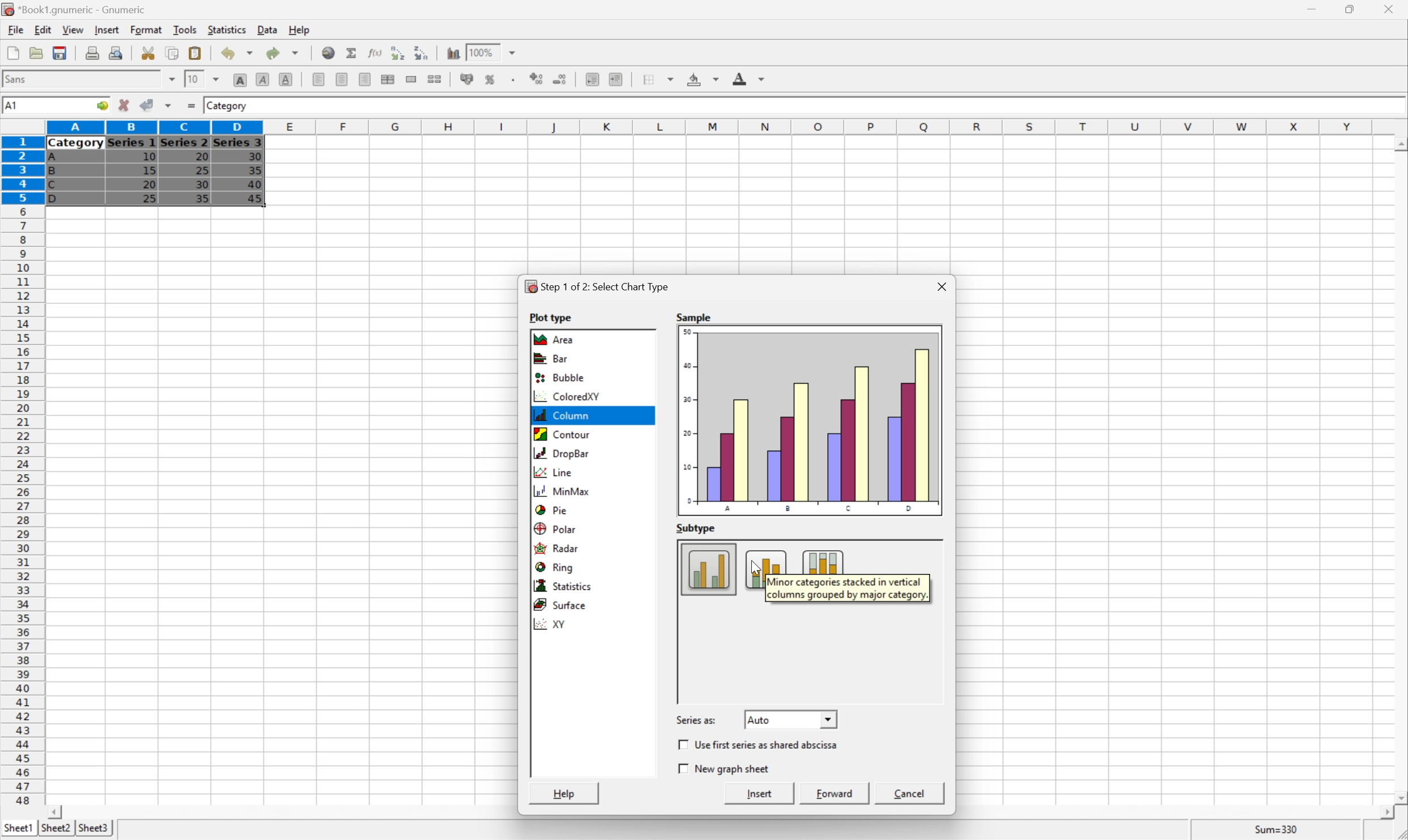 Image resolution: width=1408 pixels, height=840 pixels. What do you see at coordinates (1399, 799) in the screenshot?
I see `Scroll Down` at bounding box center [1399, 799].